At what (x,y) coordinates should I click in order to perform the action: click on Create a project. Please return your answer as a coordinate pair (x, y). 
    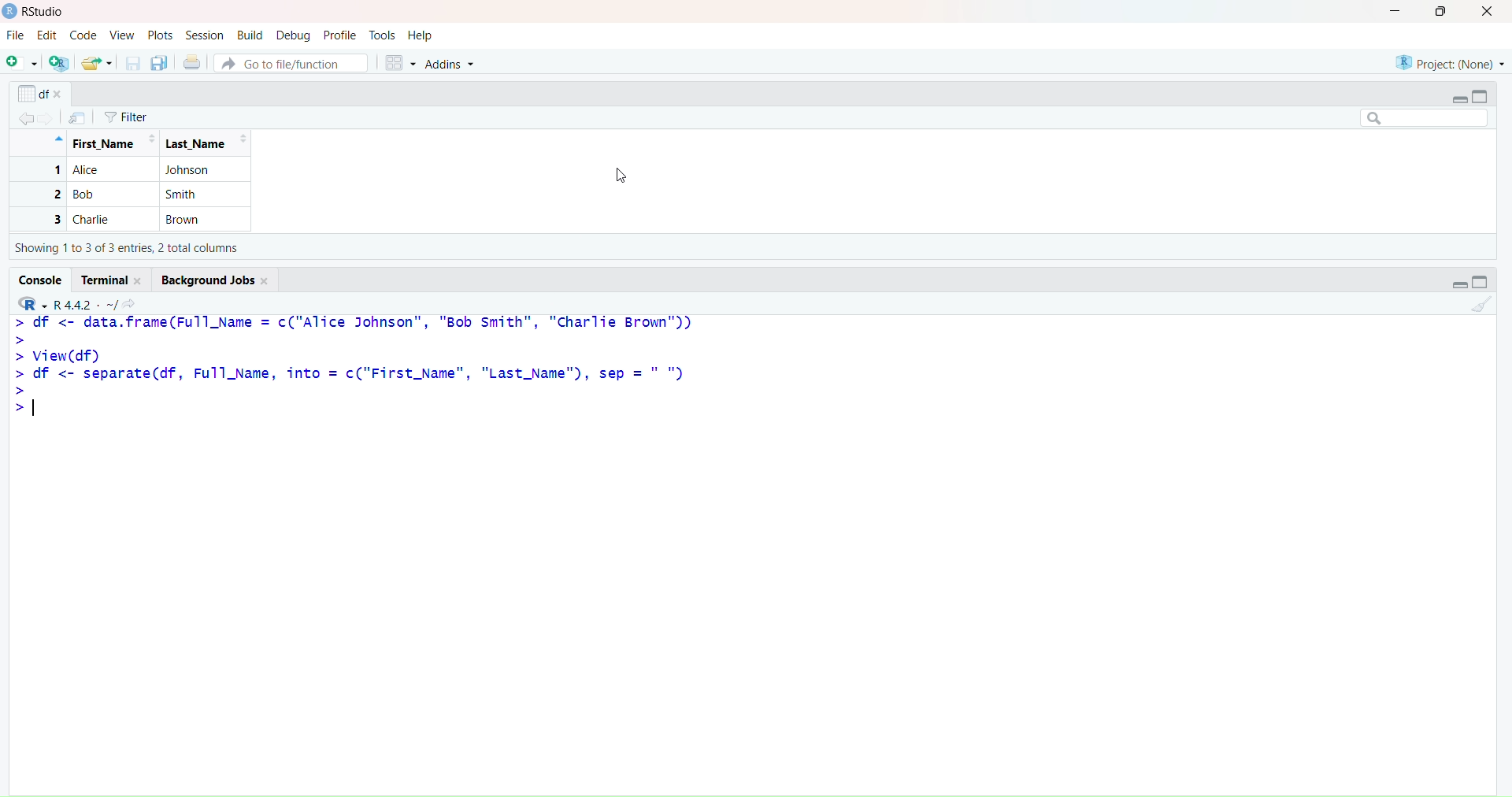
    Looking at the image, I should click on (60, 63).